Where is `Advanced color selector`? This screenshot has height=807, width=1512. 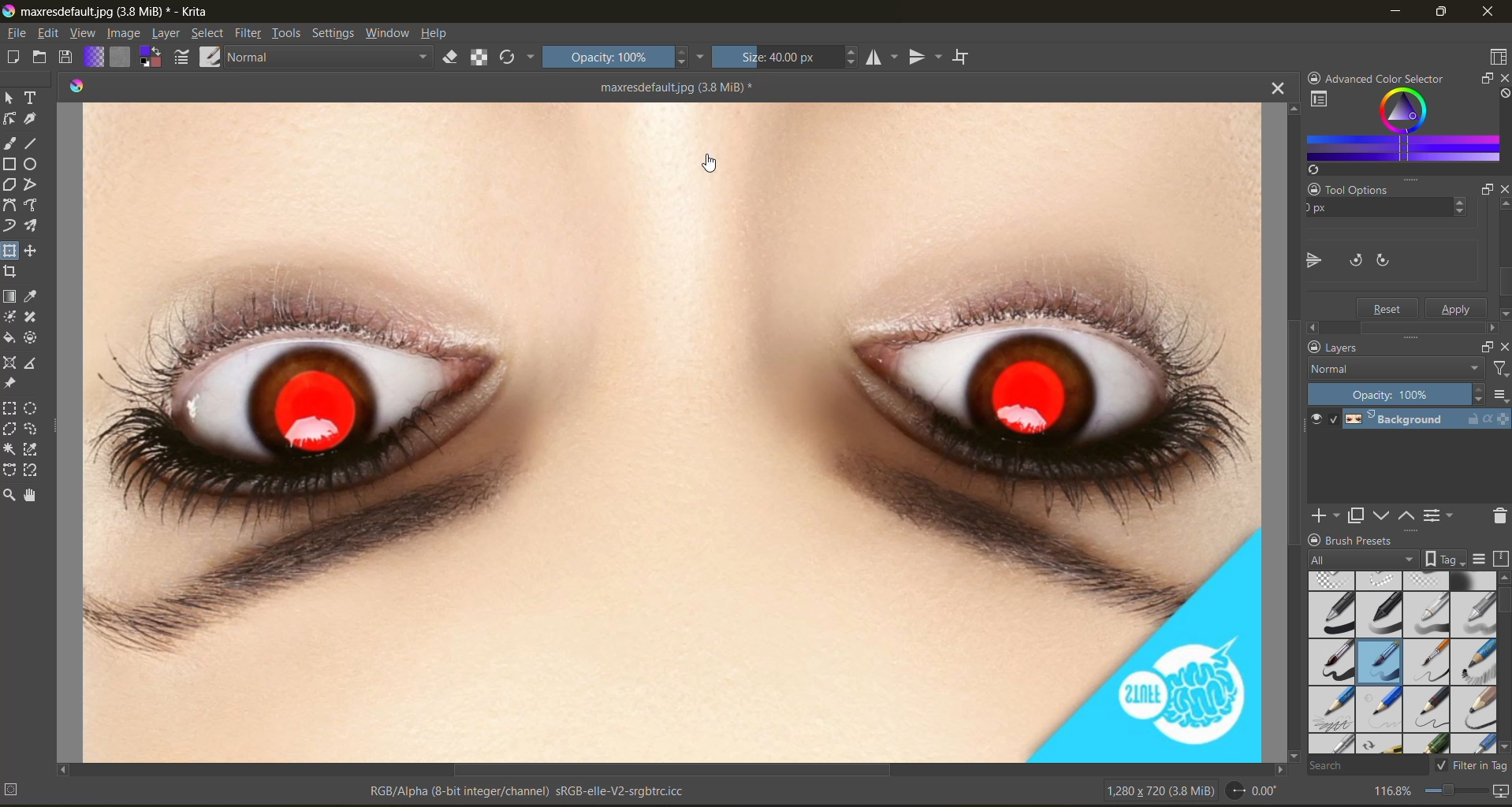 Advanced color selector is located at coordinates (1394, 76).